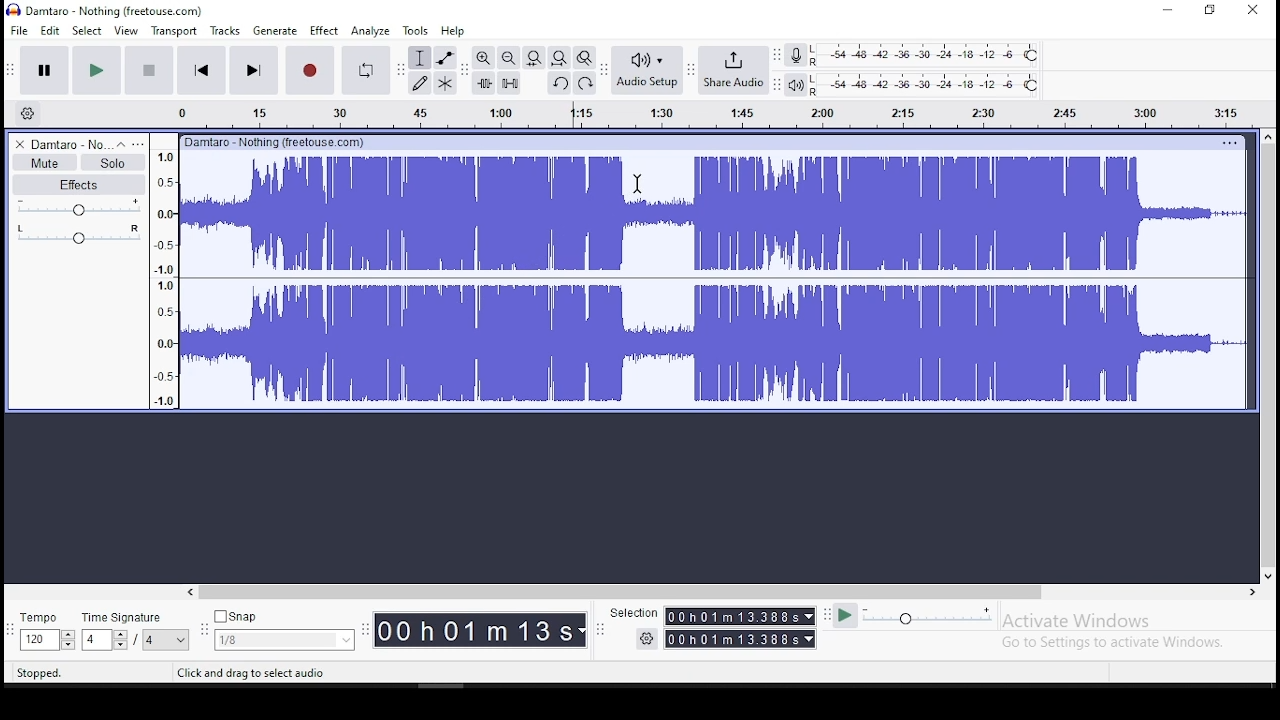 The height and width of the screenshot is (720, 1280). I want to click on skip to end, so click(255, 70).